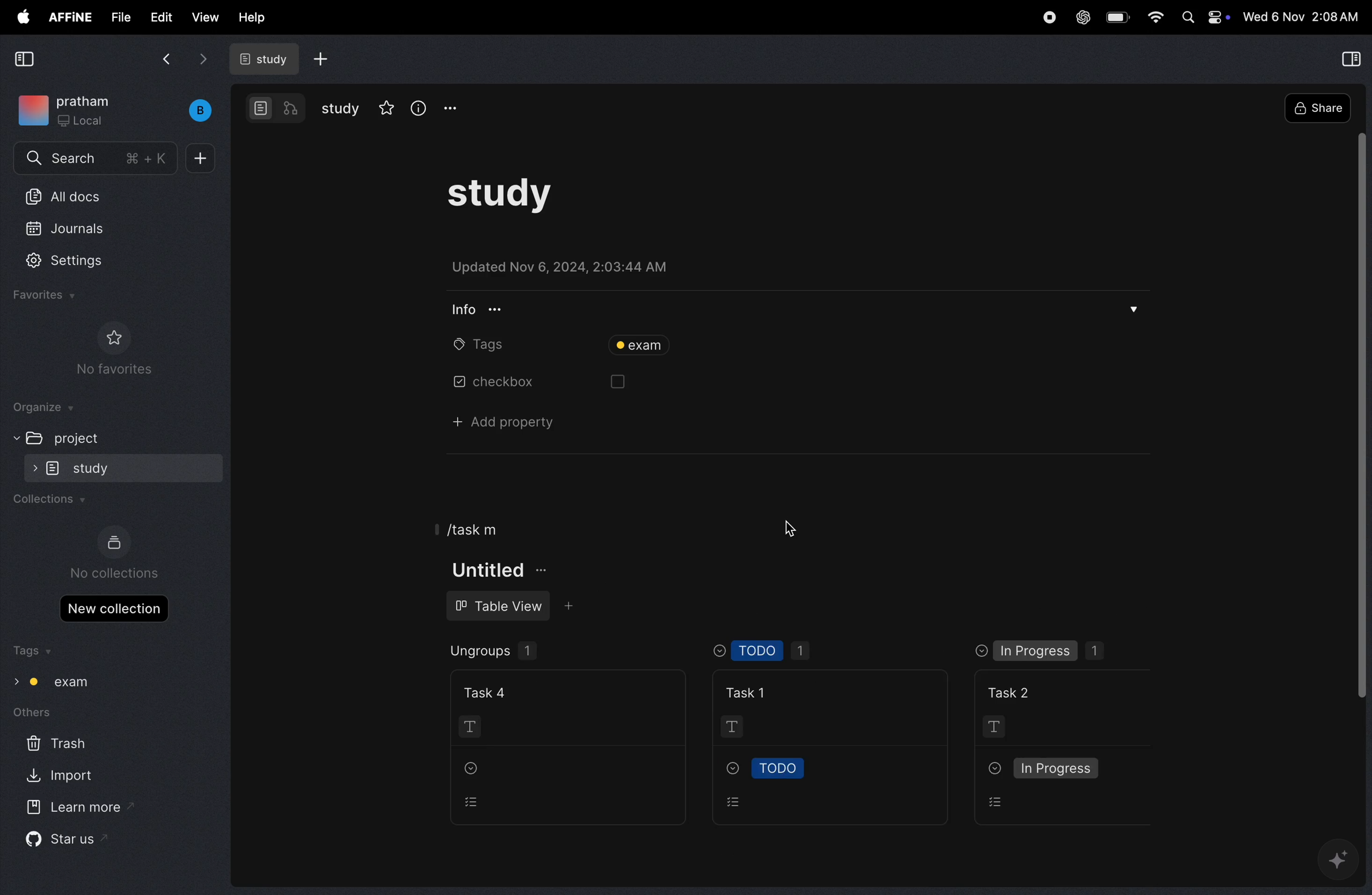 The width and height of the screenshot is (1372, 895). What do you see at coordinates (1115, 17) in the screenshot?
I see `battery` at bounding box center [1115, 17].